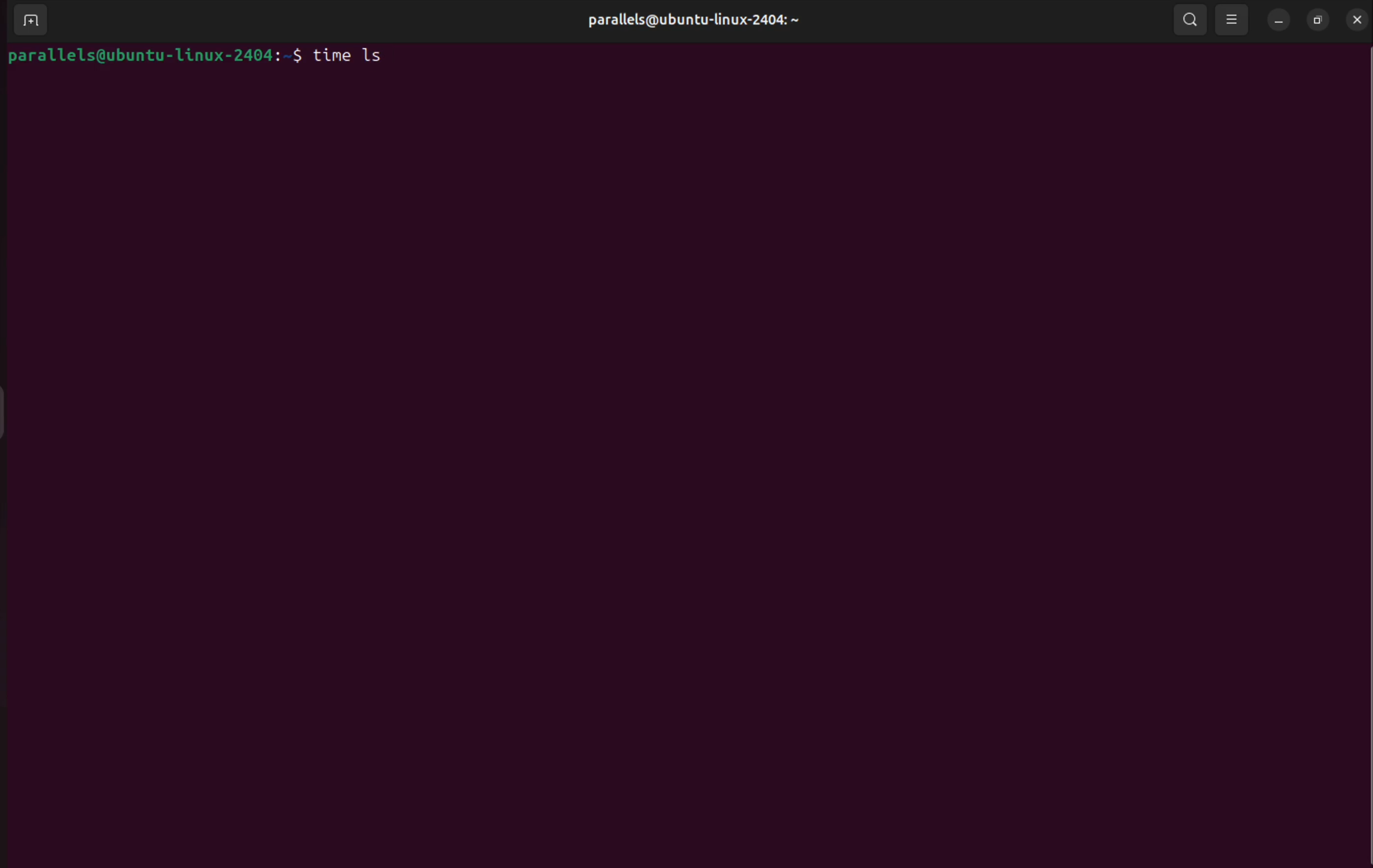  What do you see at coordinates (1191, 20) in the screenshot?
I see `search` at bounding box center [1191, 20].